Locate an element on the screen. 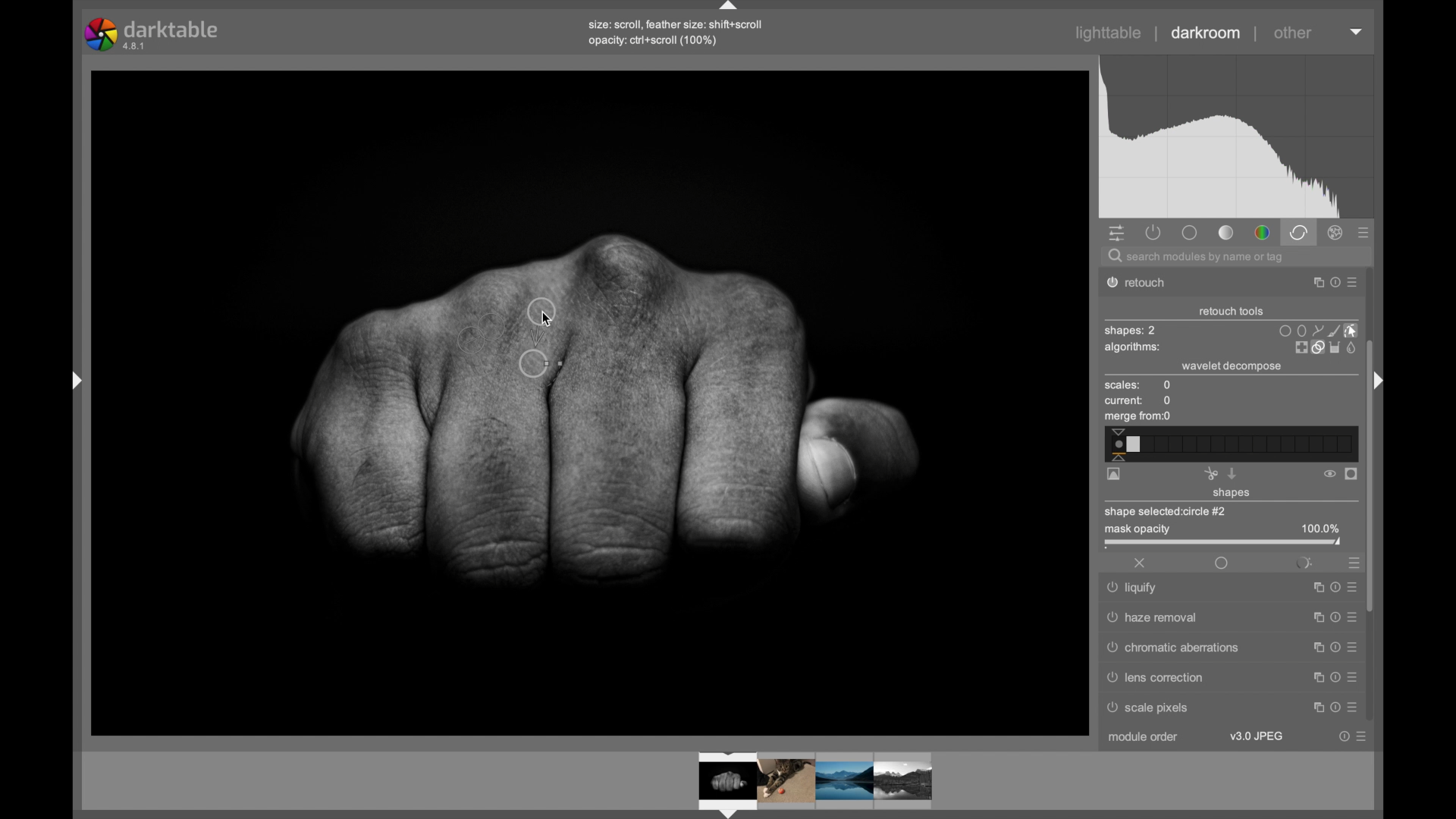  help is located at coordinates (1335, 708).